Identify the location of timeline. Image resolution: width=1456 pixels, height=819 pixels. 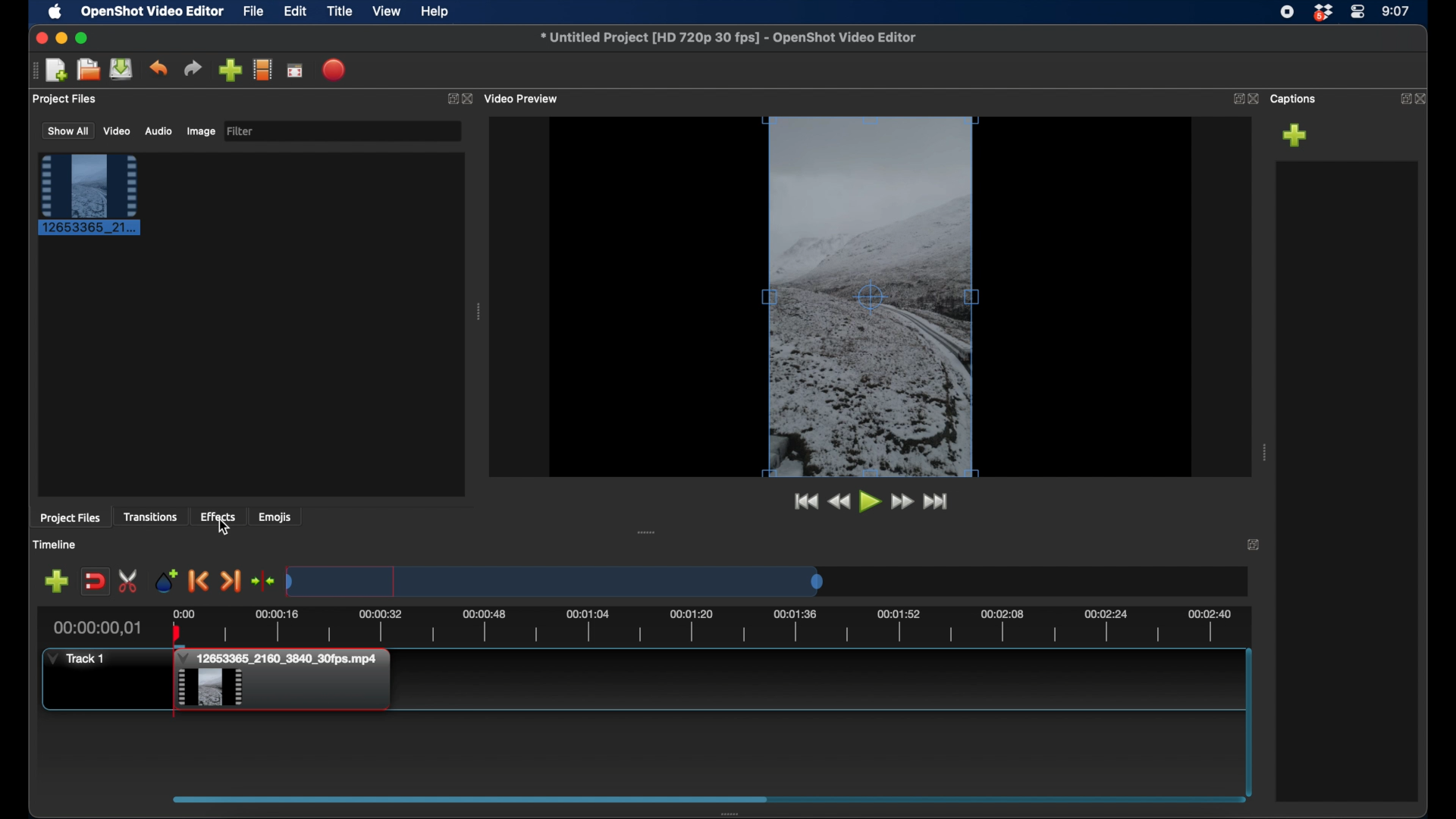
(57, 544).